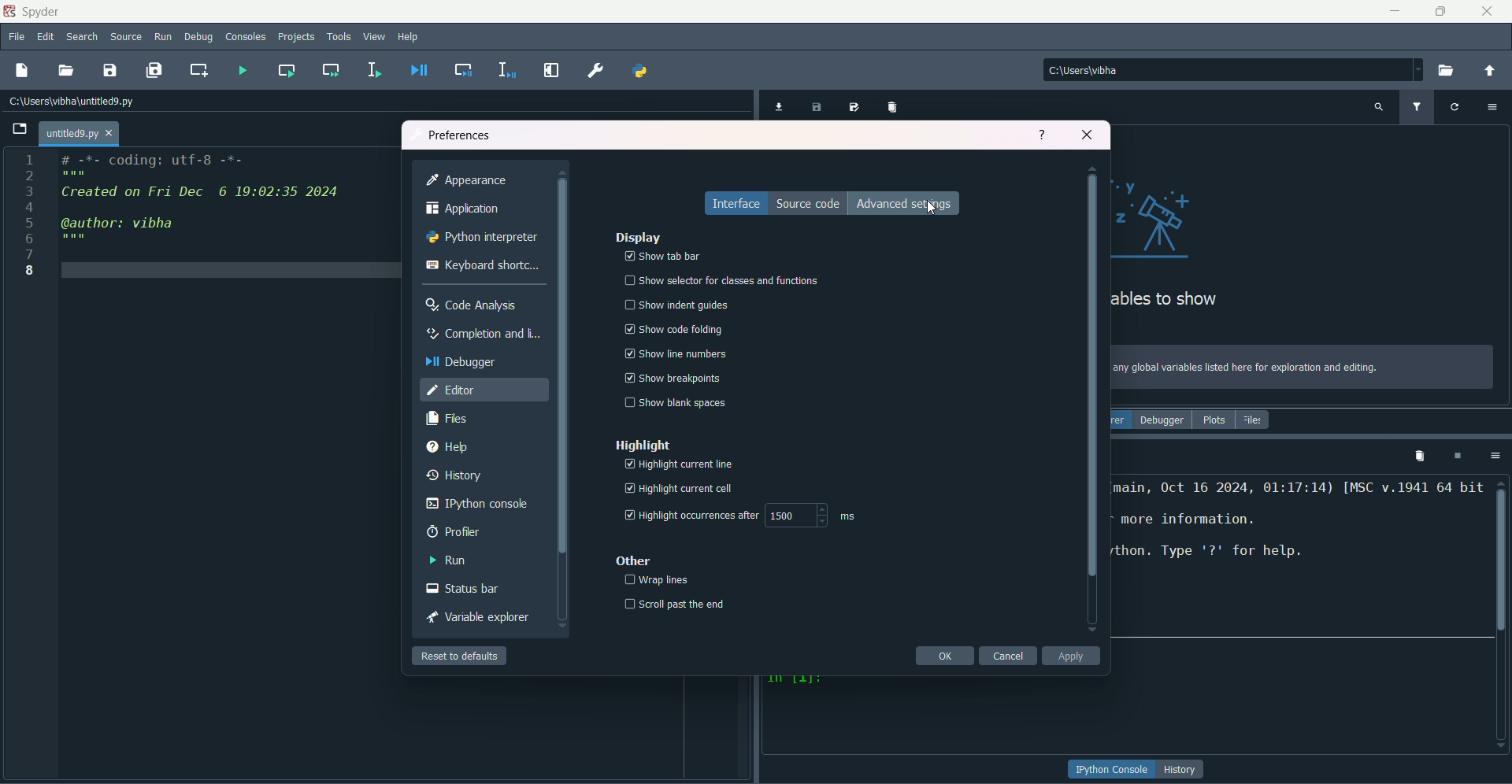 The height and width of the screenshot is (784, 1512). I want to click on application, so click(464, 209).